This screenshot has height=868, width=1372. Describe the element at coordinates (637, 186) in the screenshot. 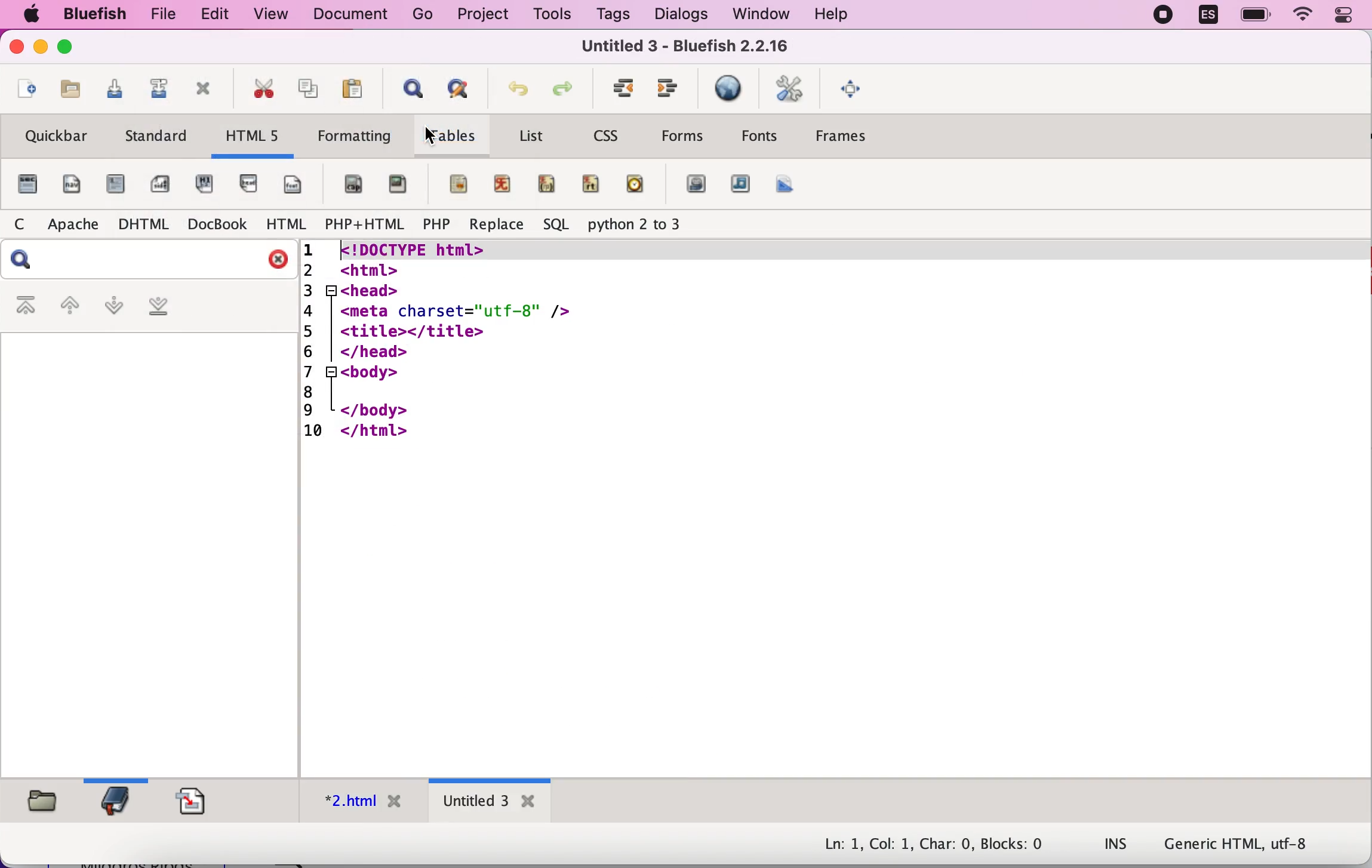

I see `time` at that location.